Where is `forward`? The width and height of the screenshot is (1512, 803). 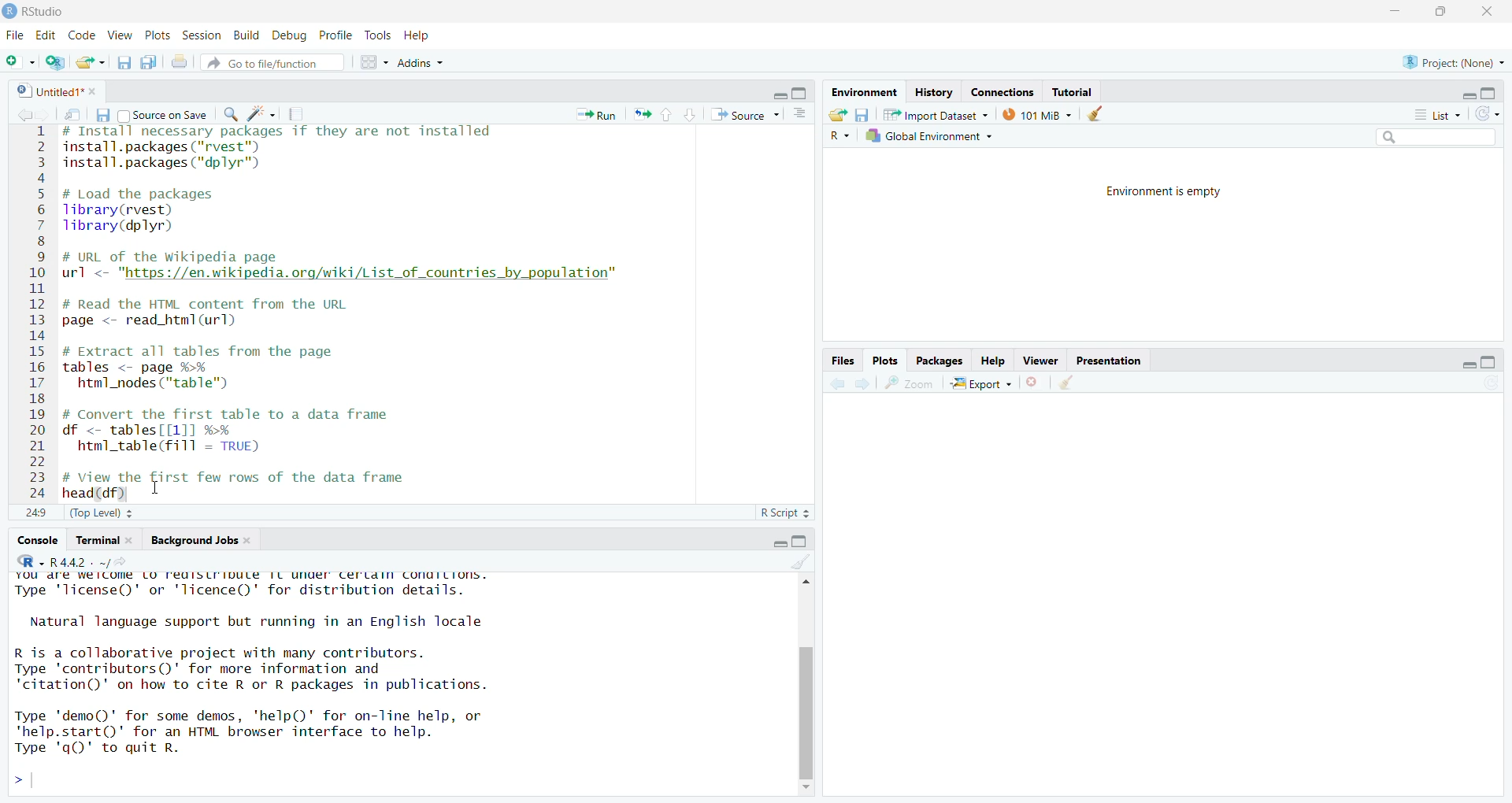 forward is located at coordinates (863, 383).